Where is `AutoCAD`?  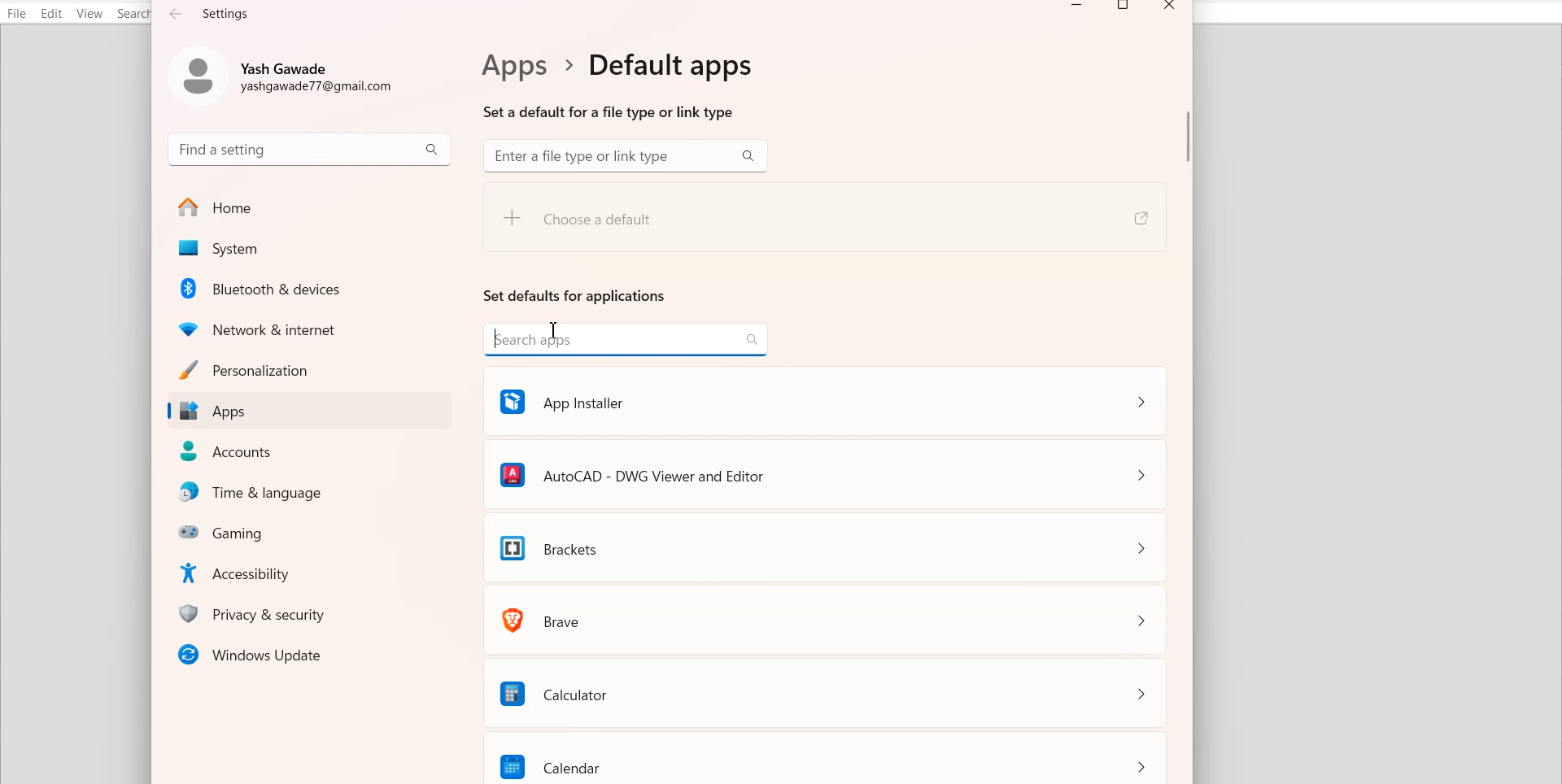 AutoCAD is located at coordinates (825, 473).